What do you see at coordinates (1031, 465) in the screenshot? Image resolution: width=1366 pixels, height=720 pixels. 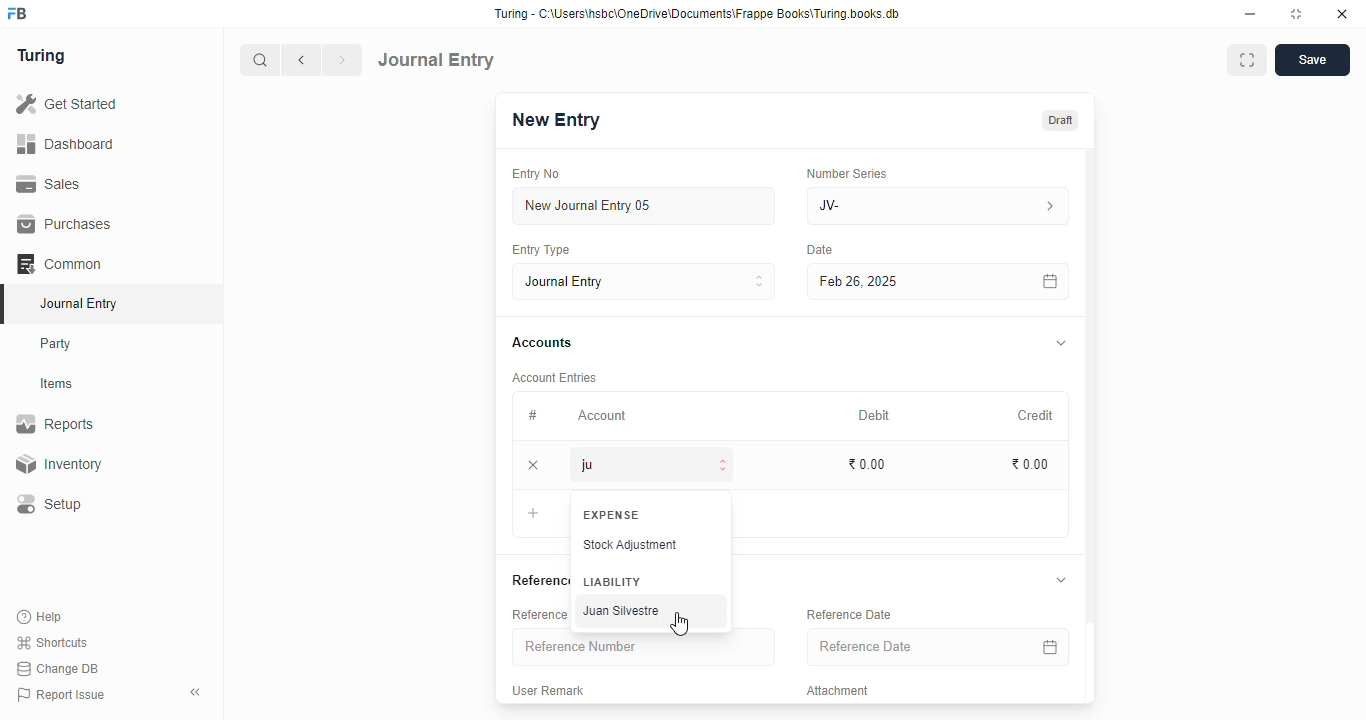 I see `₹0.00` at bounding box center [1031, 465].